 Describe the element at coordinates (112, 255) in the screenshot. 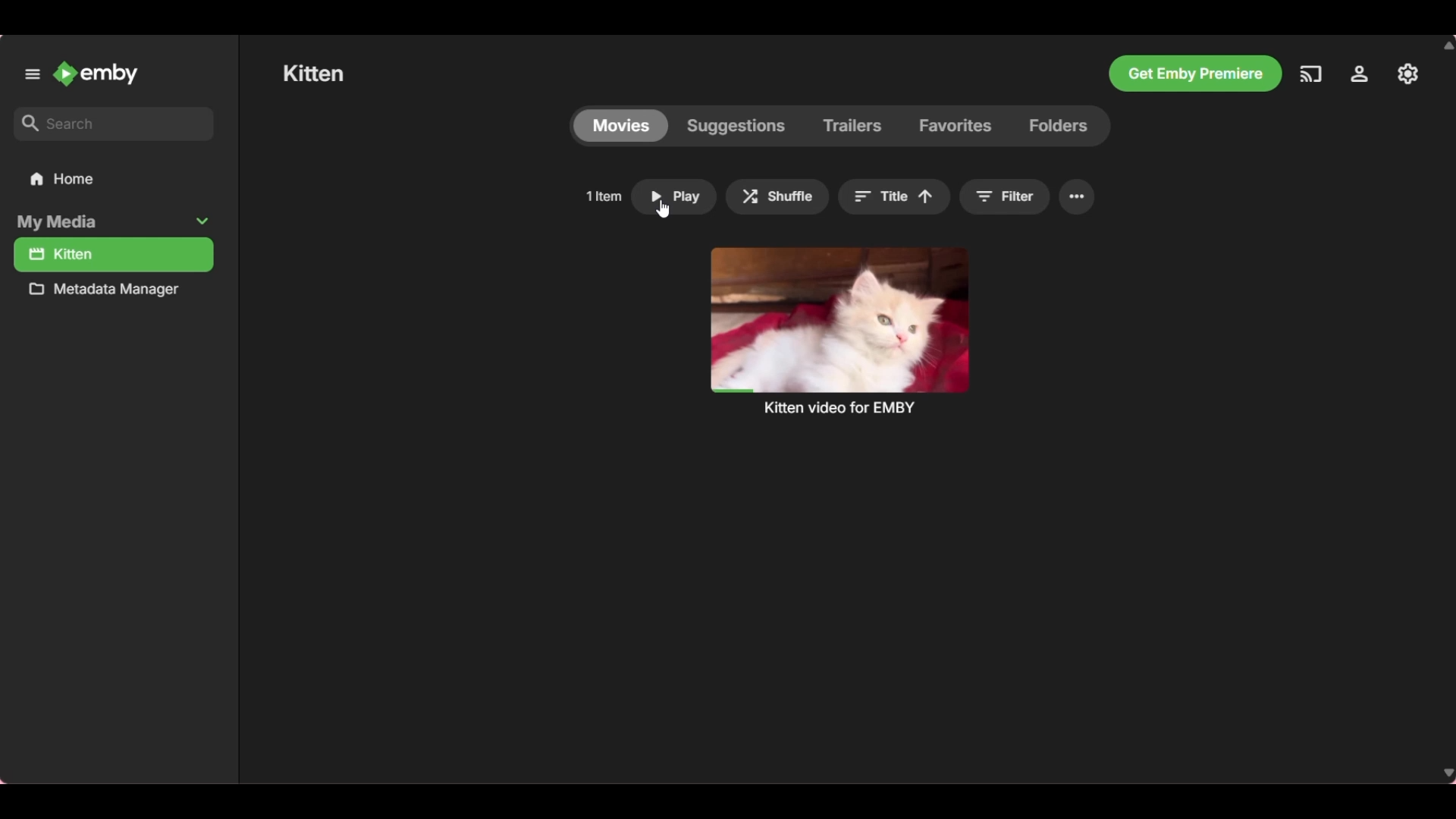

I see `Current folder highlighted` at that location.